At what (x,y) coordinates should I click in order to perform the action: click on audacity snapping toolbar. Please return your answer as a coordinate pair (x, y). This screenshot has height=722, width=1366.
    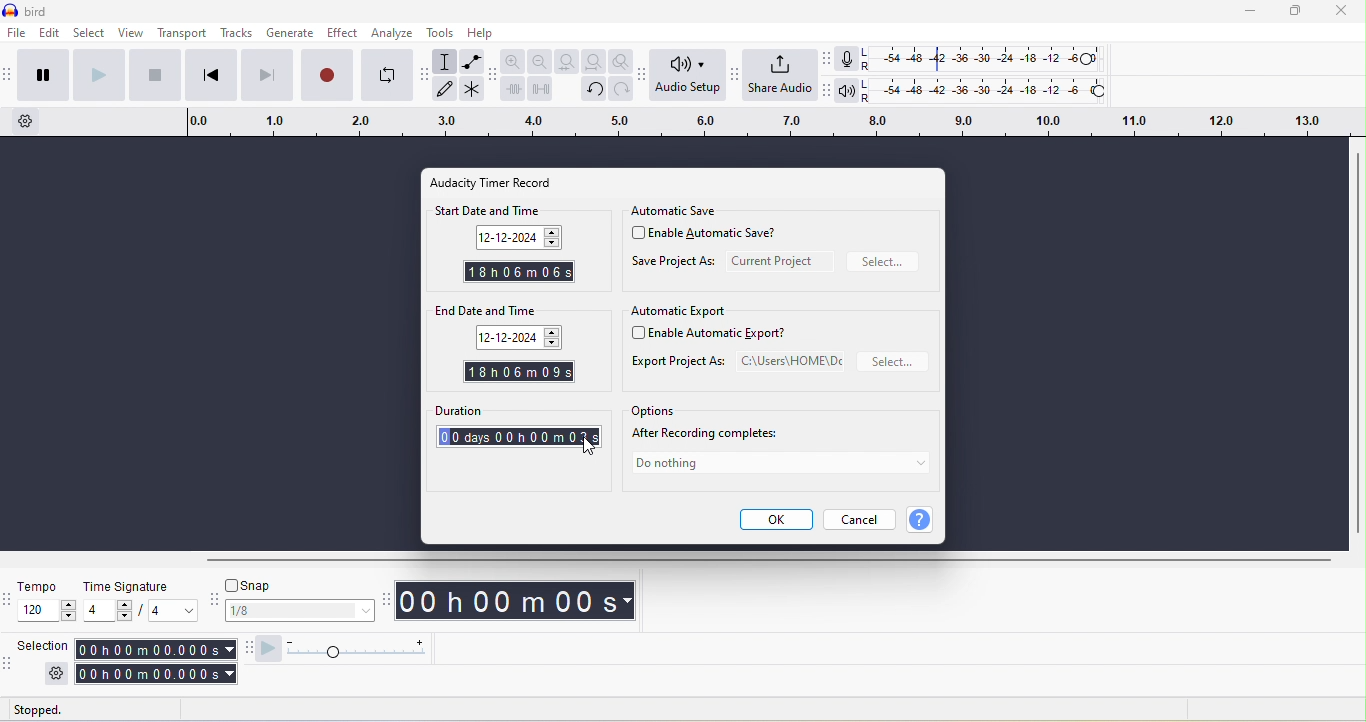
    Looking at the image, I should click on (214, 600).